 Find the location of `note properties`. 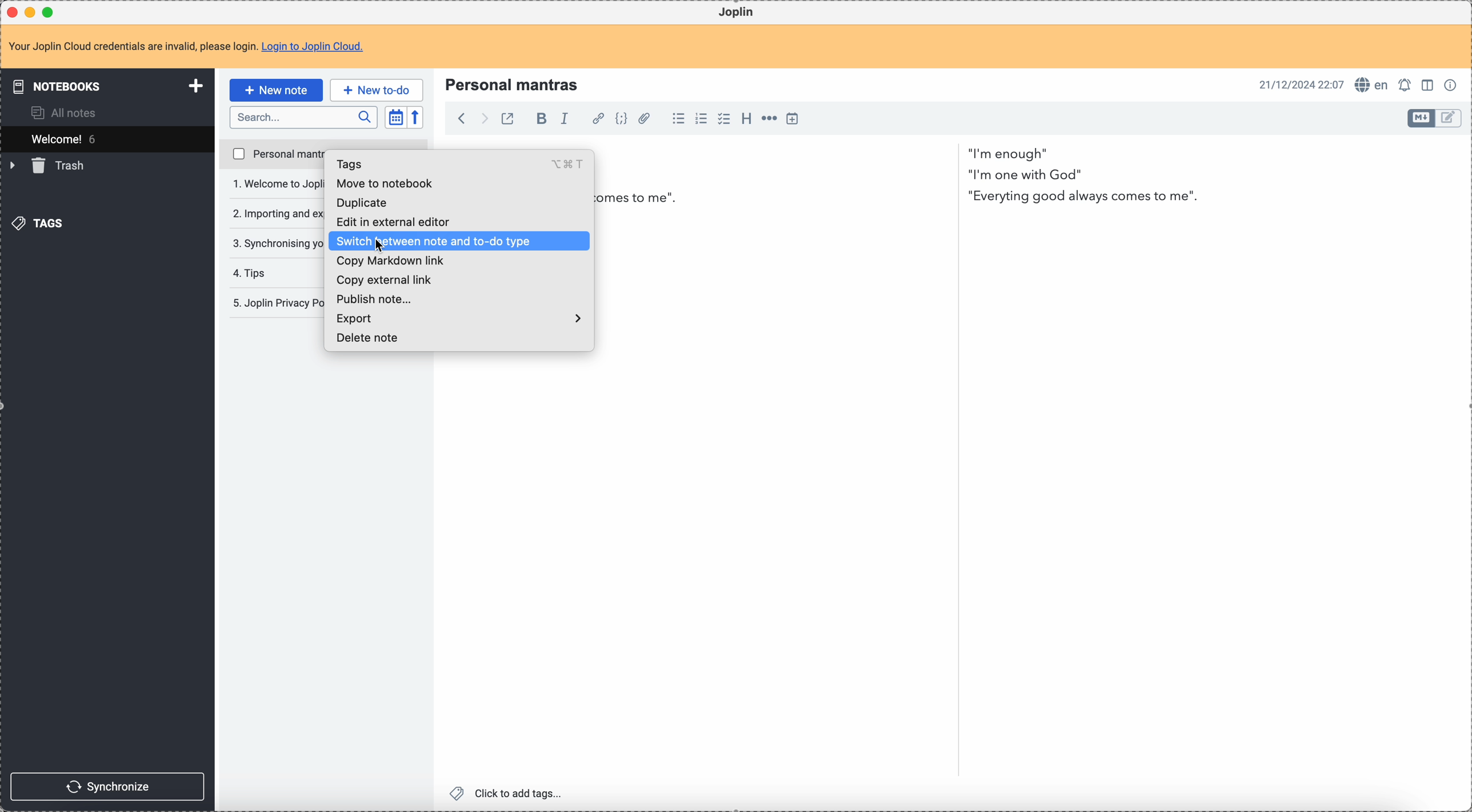

note properties is located at coordinates (1453, 86).